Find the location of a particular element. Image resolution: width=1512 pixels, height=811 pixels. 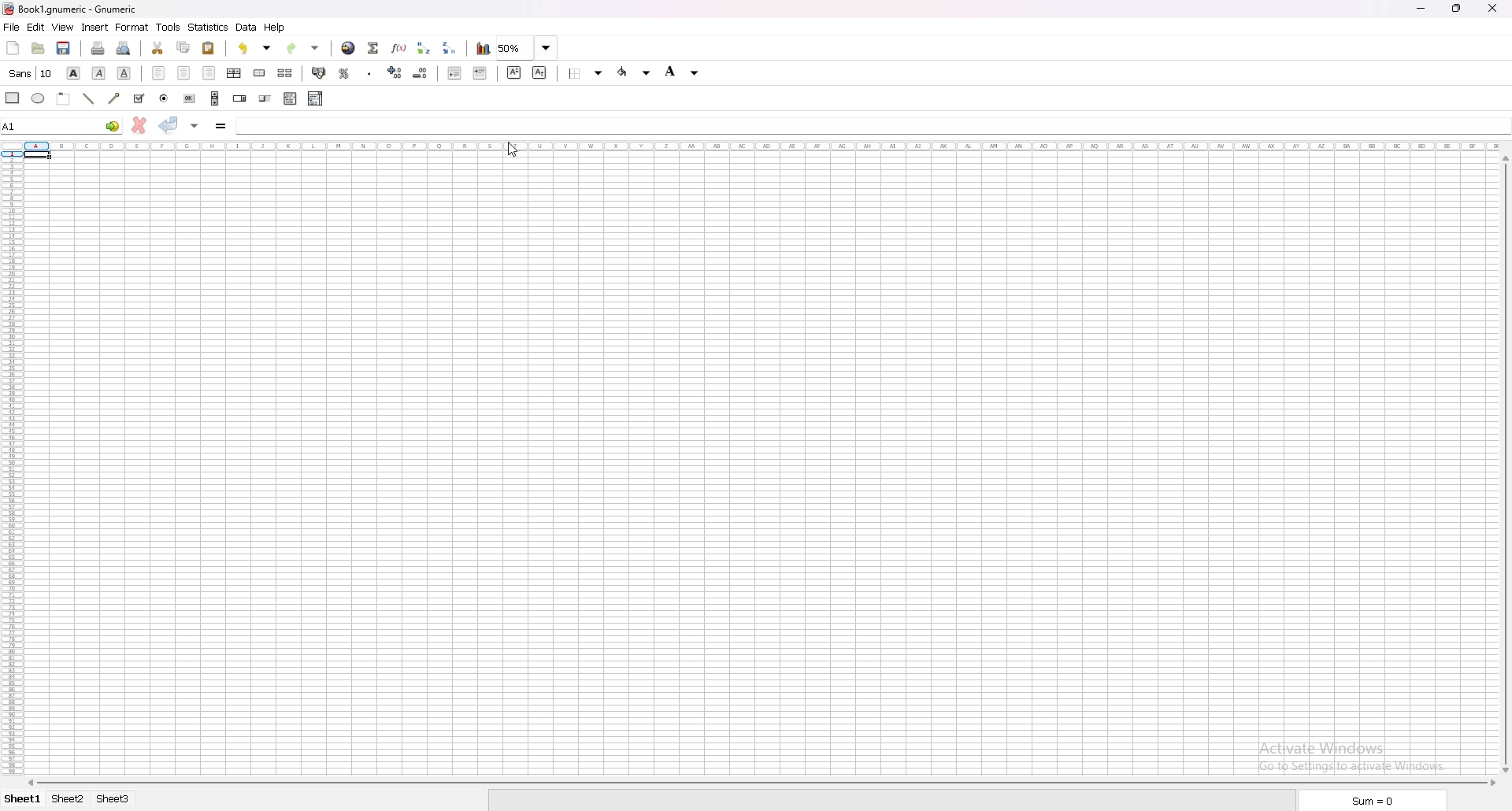

save is located at coordinates (64, 47).